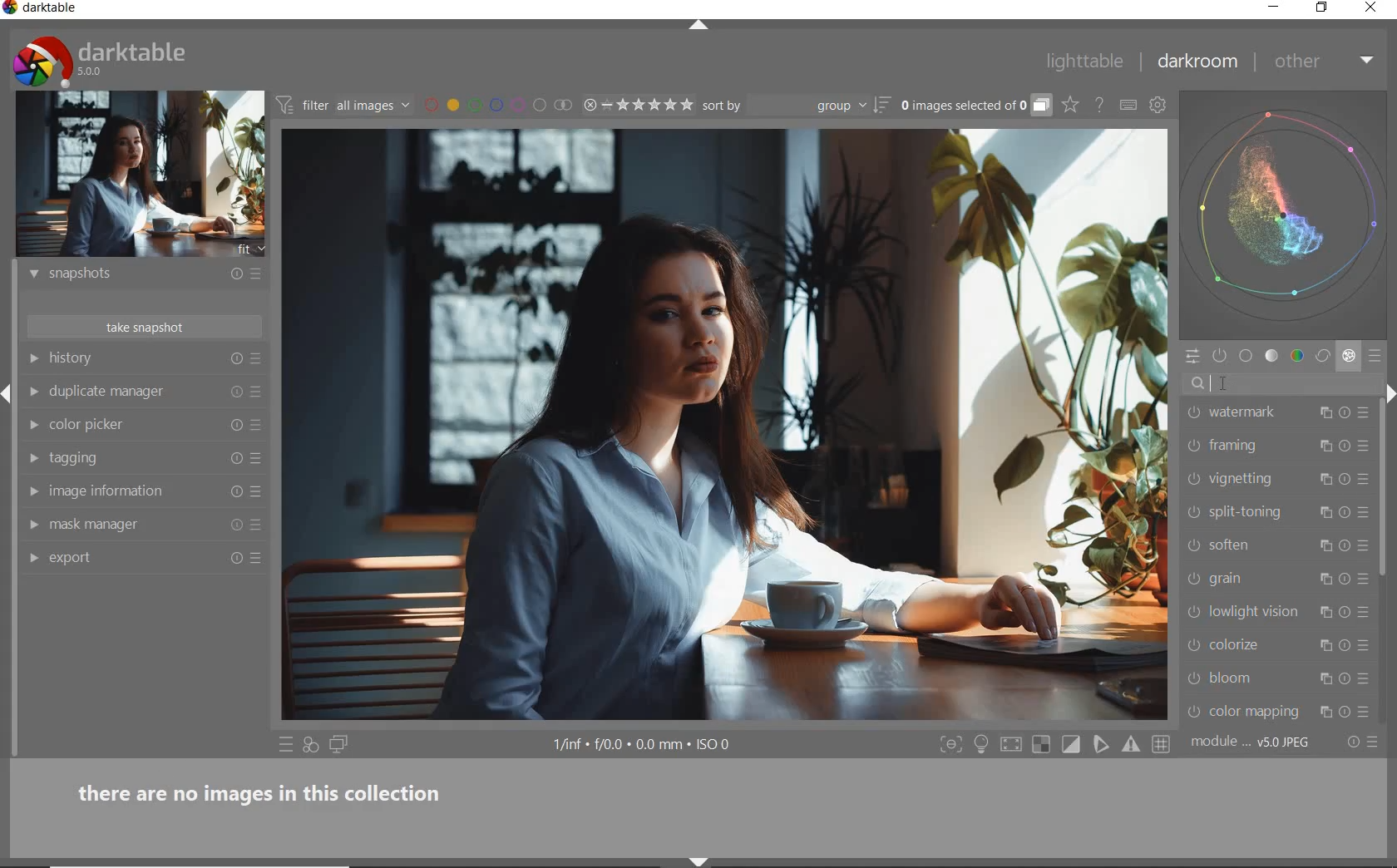  What do you see at coordinates (234, 492) in the screenshot?
I see `reset` at bounding box center [234, 492].